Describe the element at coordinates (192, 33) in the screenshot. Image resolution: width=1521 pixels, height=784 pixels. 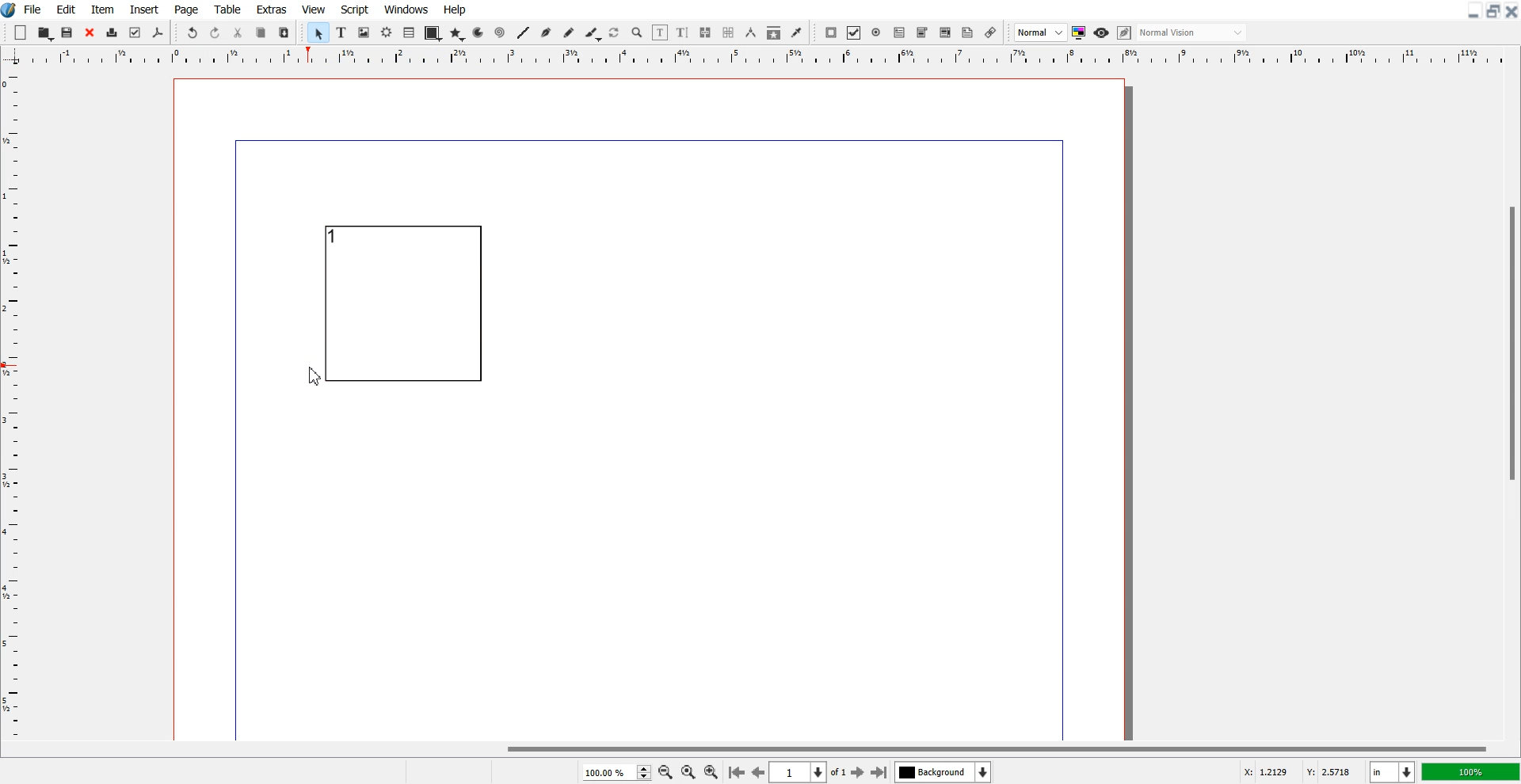
I see `Undo` at that location.